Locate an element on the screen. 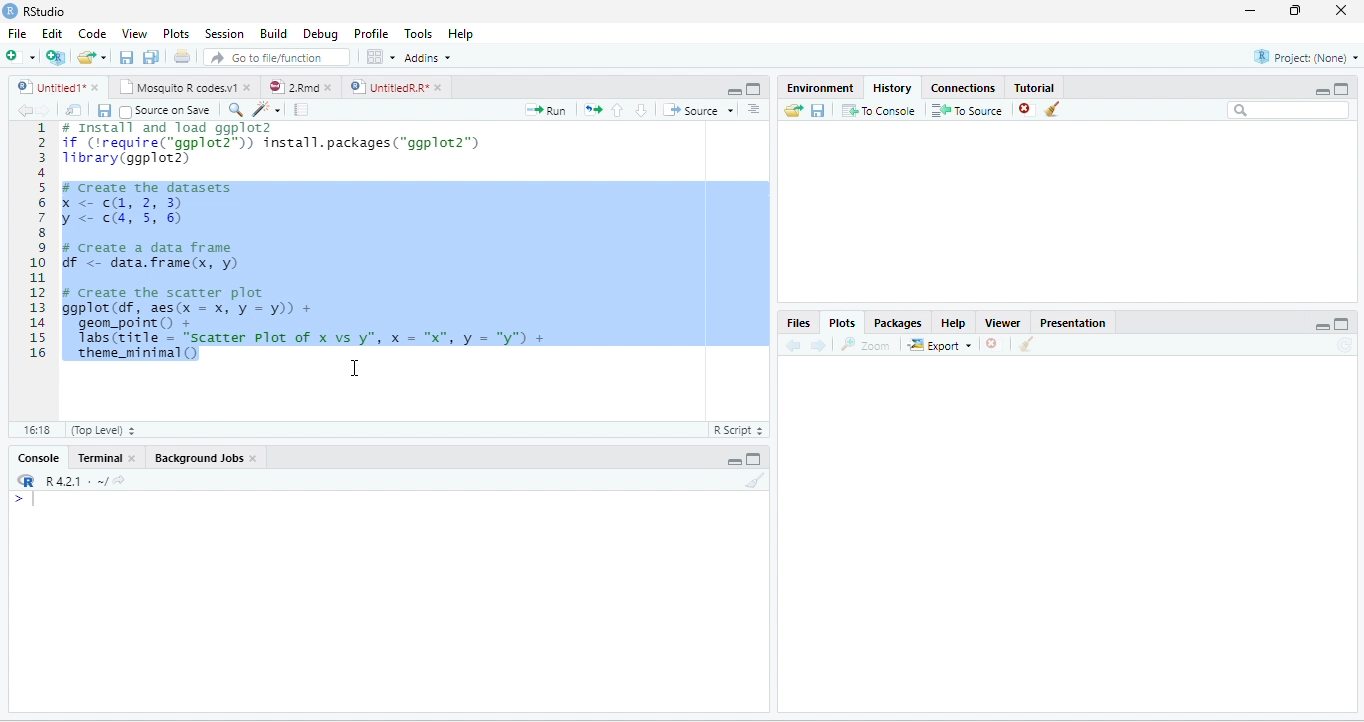  Save all open documents is located at coordinates (151, 56).